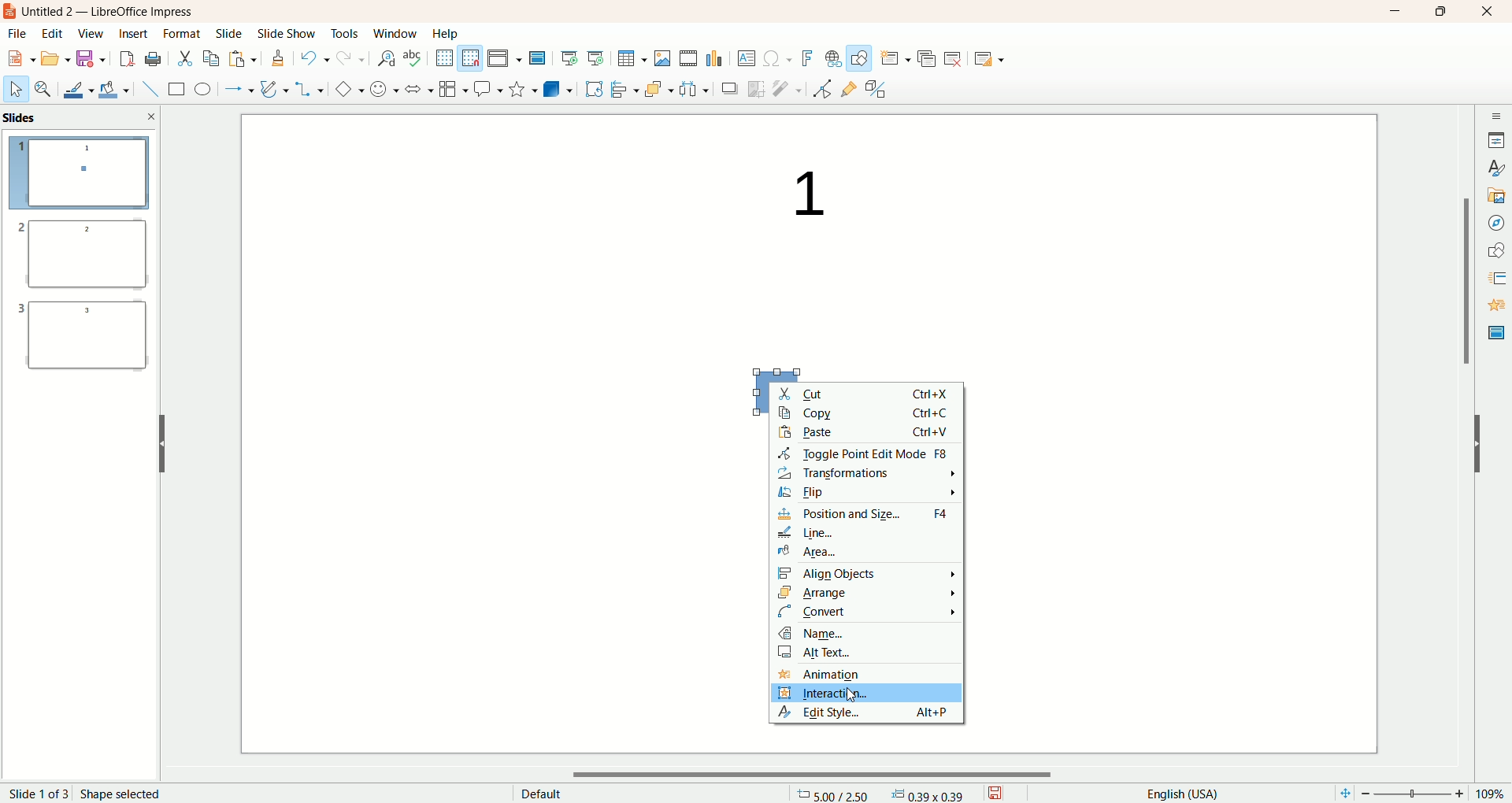  I want to click on align objects, so click(872, 573).